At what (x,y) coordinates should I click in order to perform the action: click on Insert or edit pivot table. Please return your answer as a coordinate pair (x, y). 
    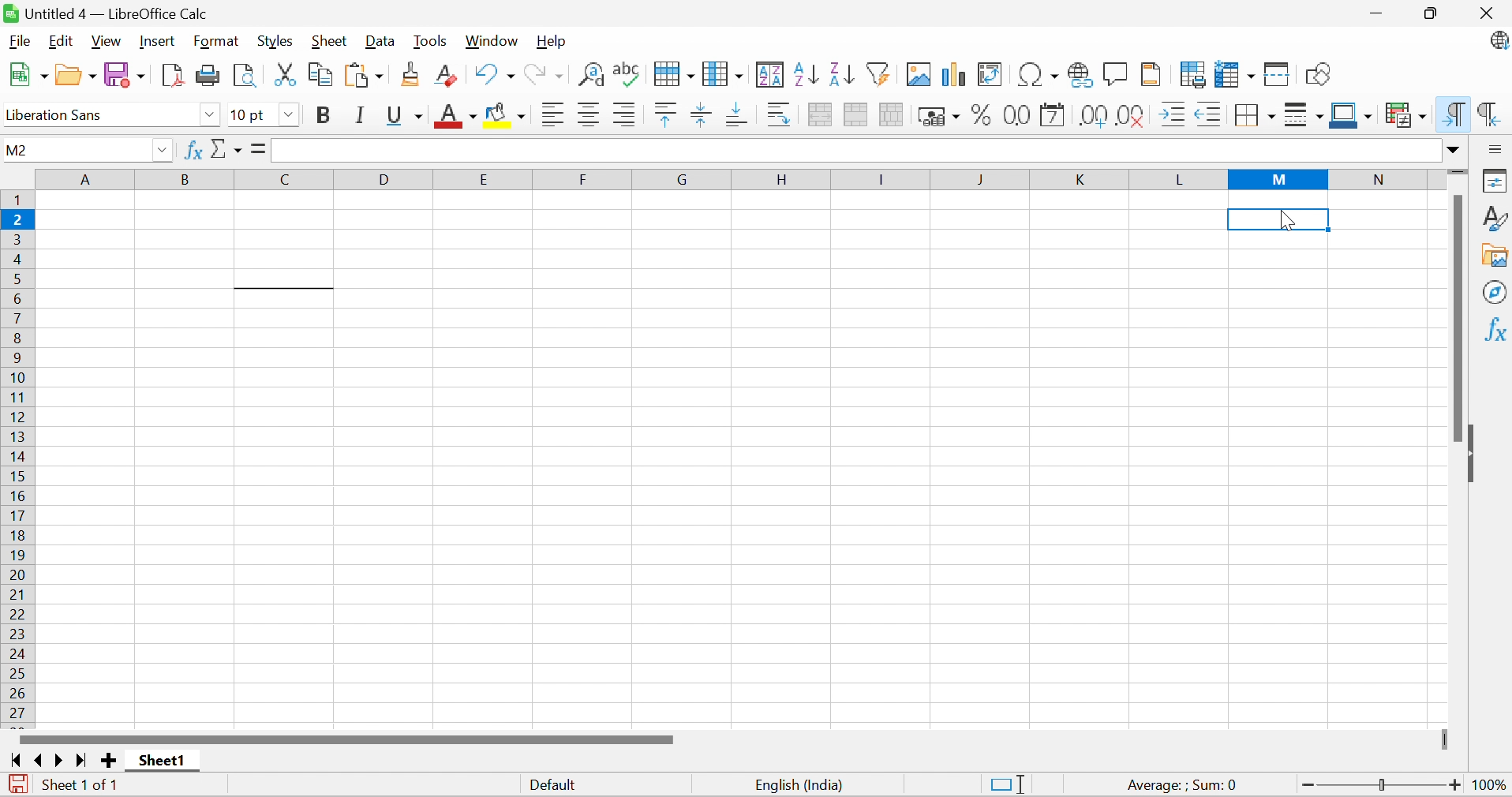
    Looking at the image, I should click on (991, 75).